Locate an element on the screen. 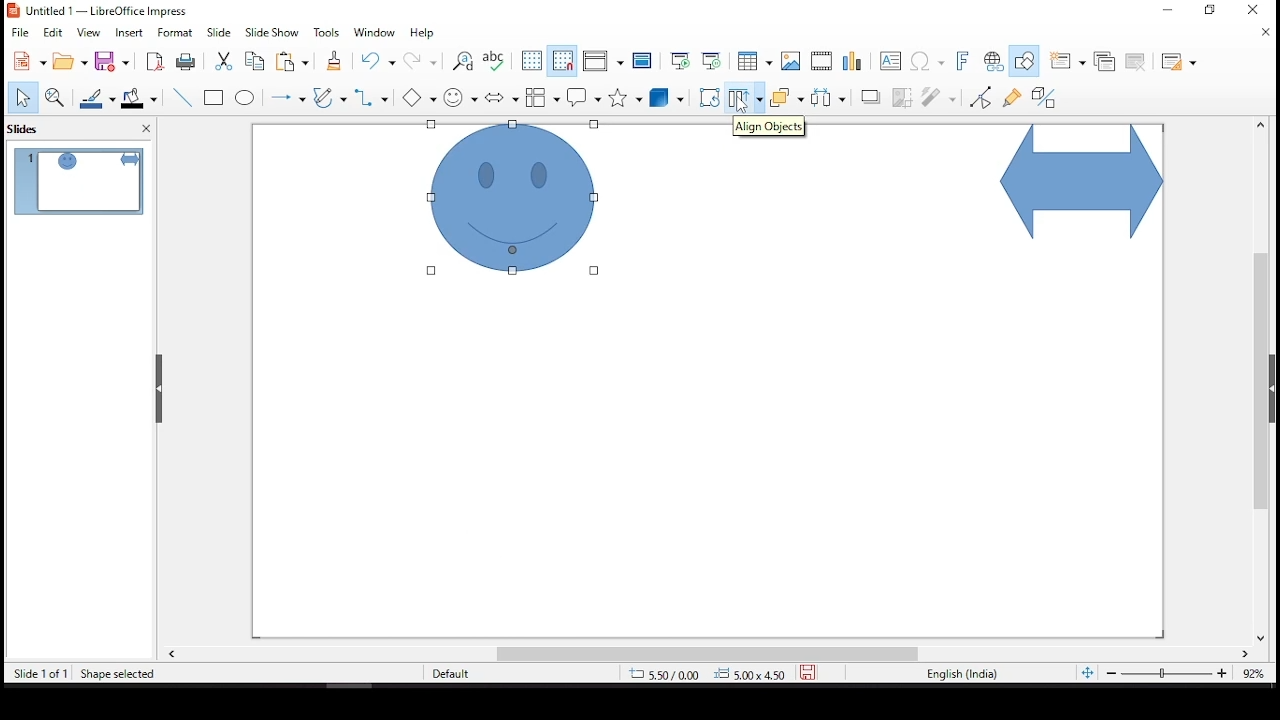  cut is located at coordinates (221, 61).